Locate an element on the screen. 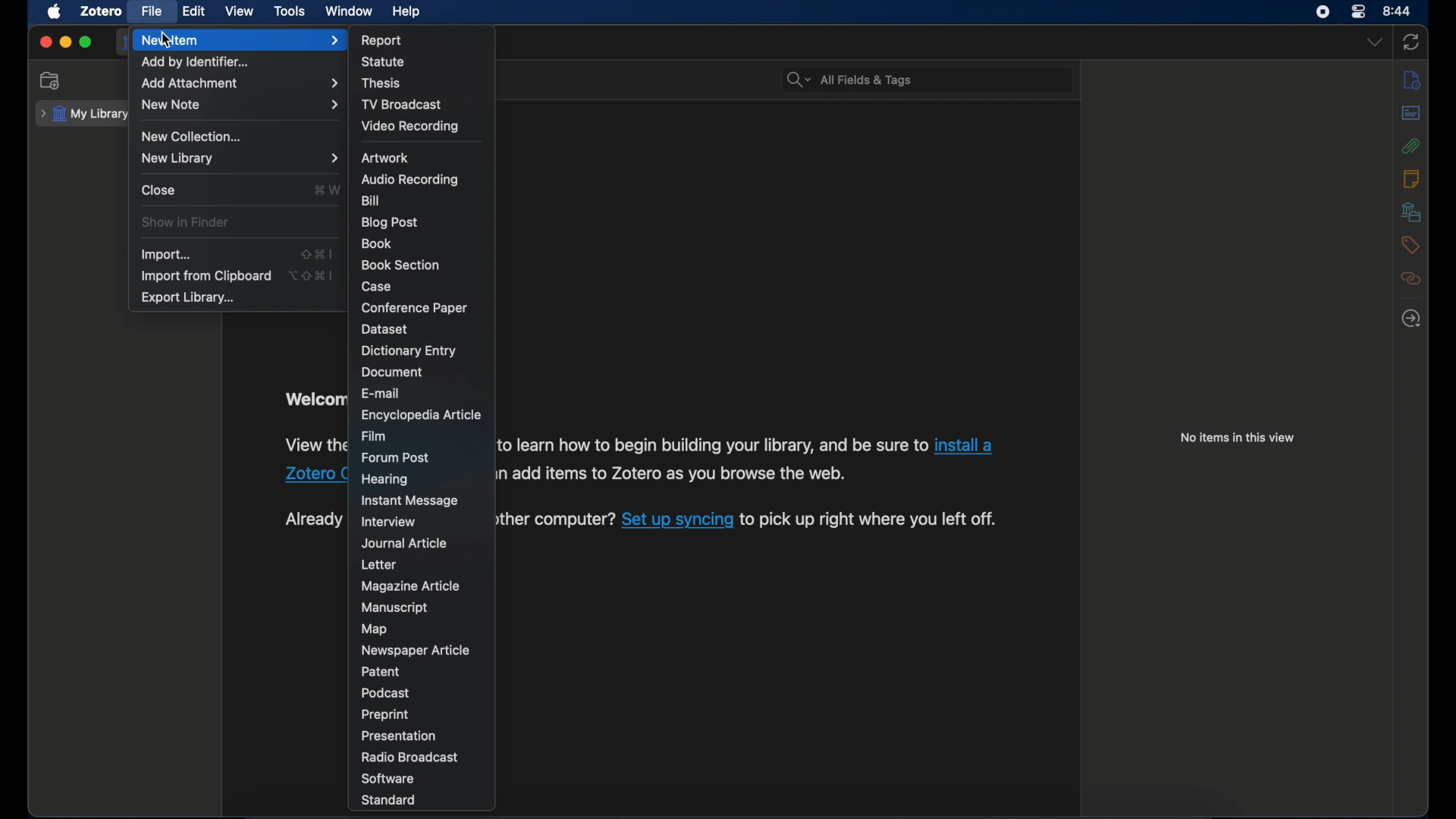 Image resolution: width=1456 pixels, height=819 pixels. help is located at coordinates (408, 12).